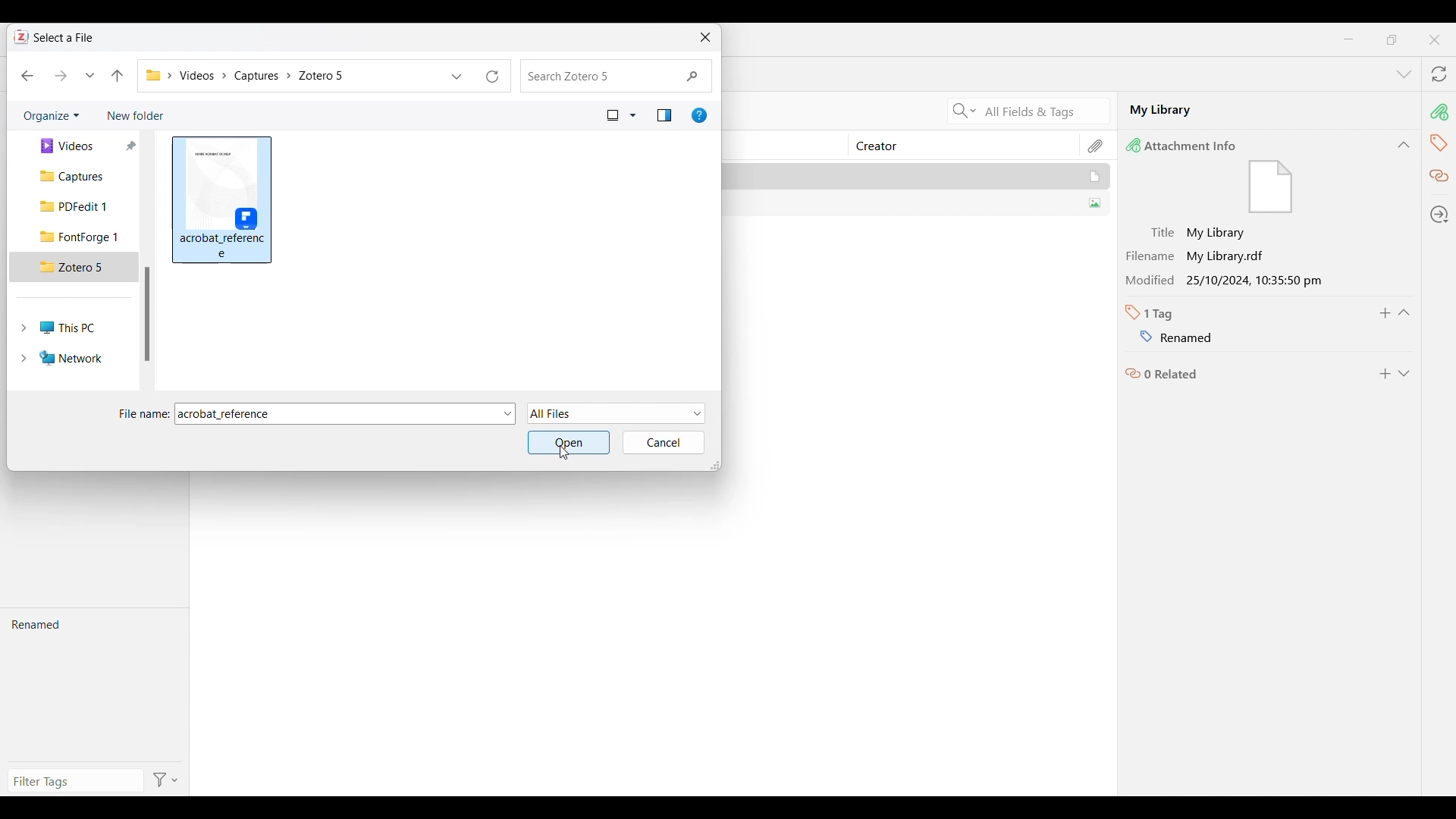 The height and width of the screenshot is (819, 1456). What do you see at coordinates (118, 77) in the screenshot?
I see `Move to the previous folder in the folder pathway` at bounding box center [118, 77].